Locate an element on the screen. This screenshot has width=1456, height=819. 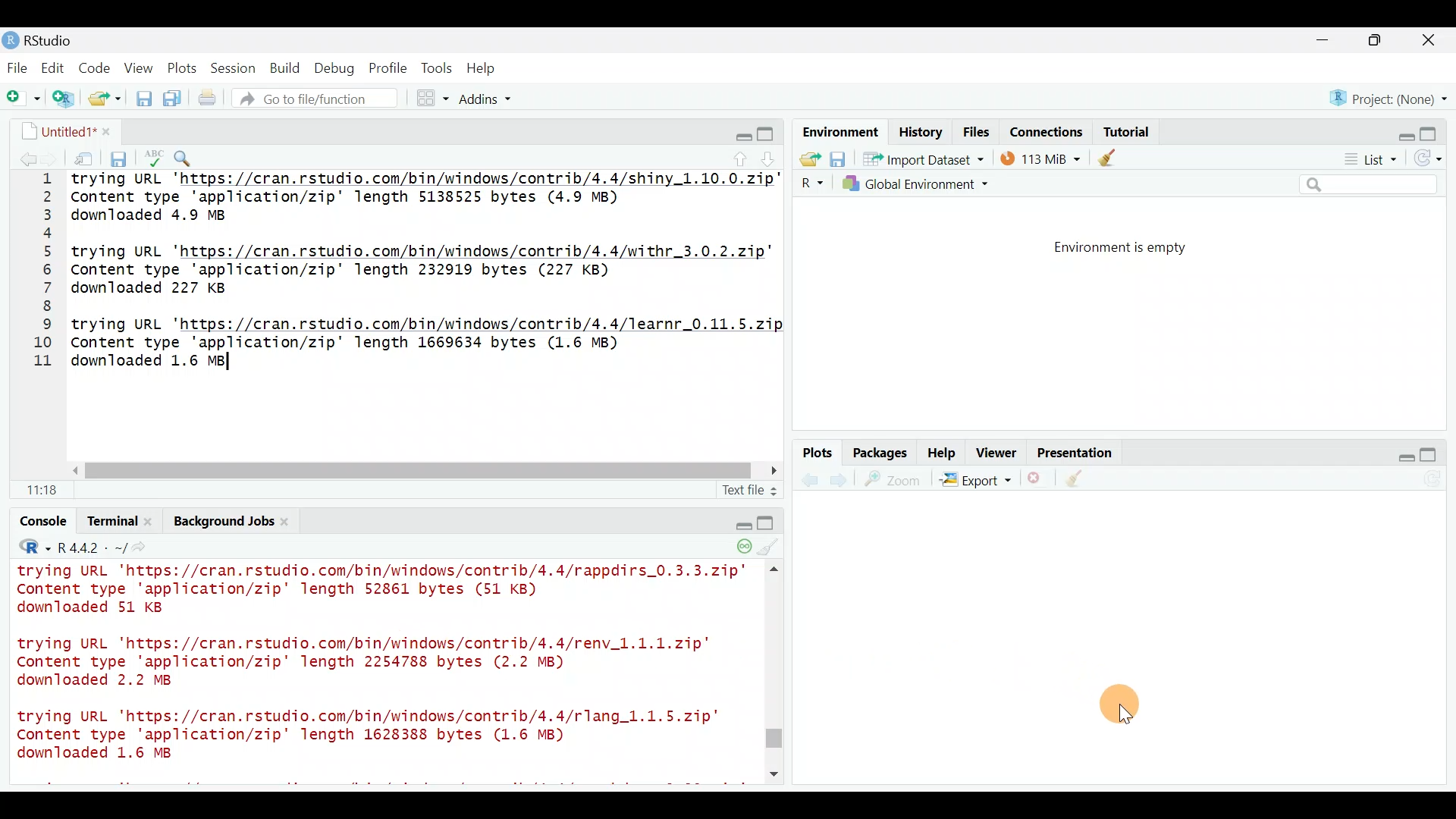
scroll bar is located at coordinates (409, 469).